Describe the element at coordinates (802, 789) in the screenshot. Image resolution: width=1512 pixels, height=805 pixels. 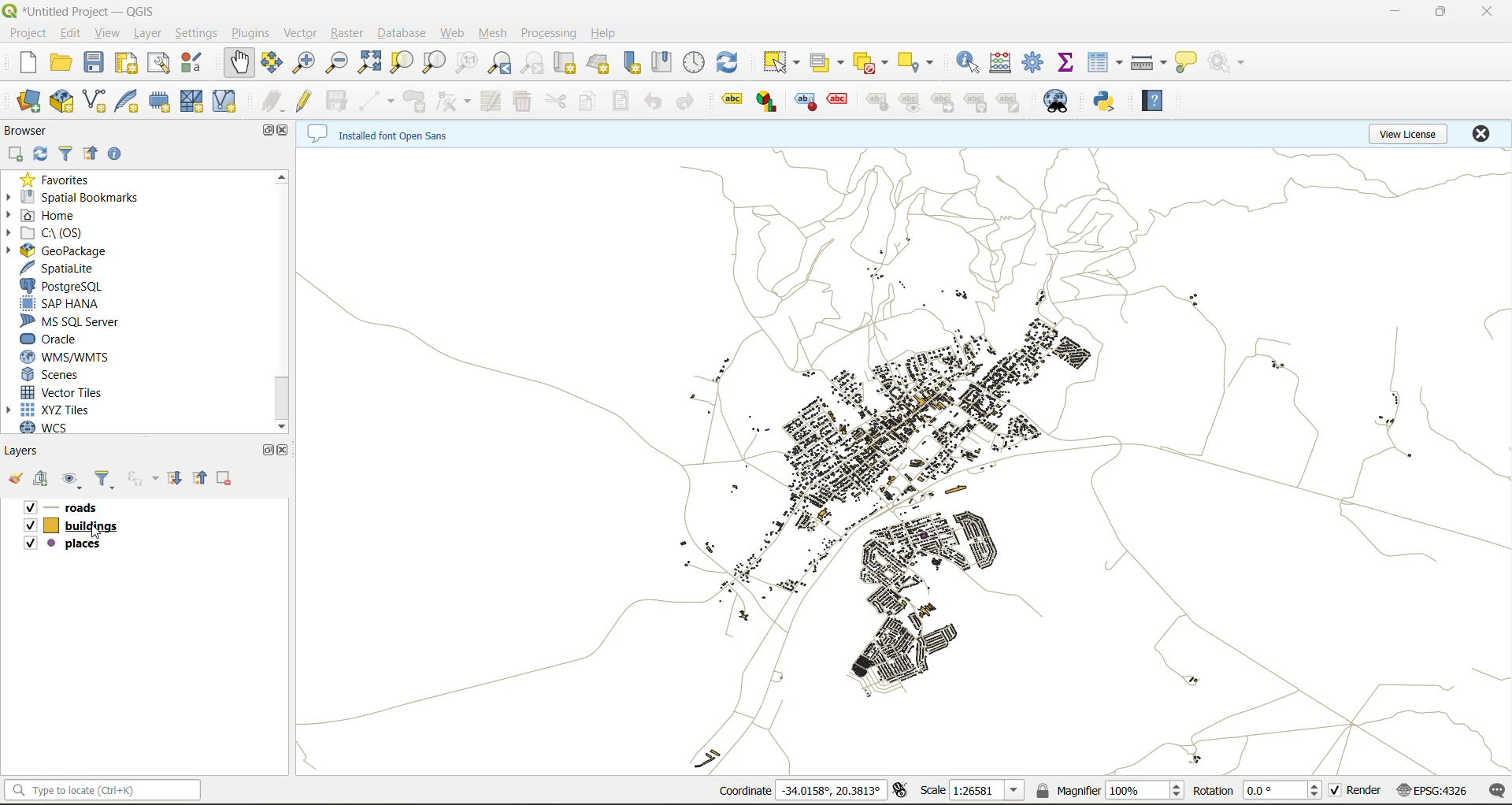
I see `coordinates` at that location.